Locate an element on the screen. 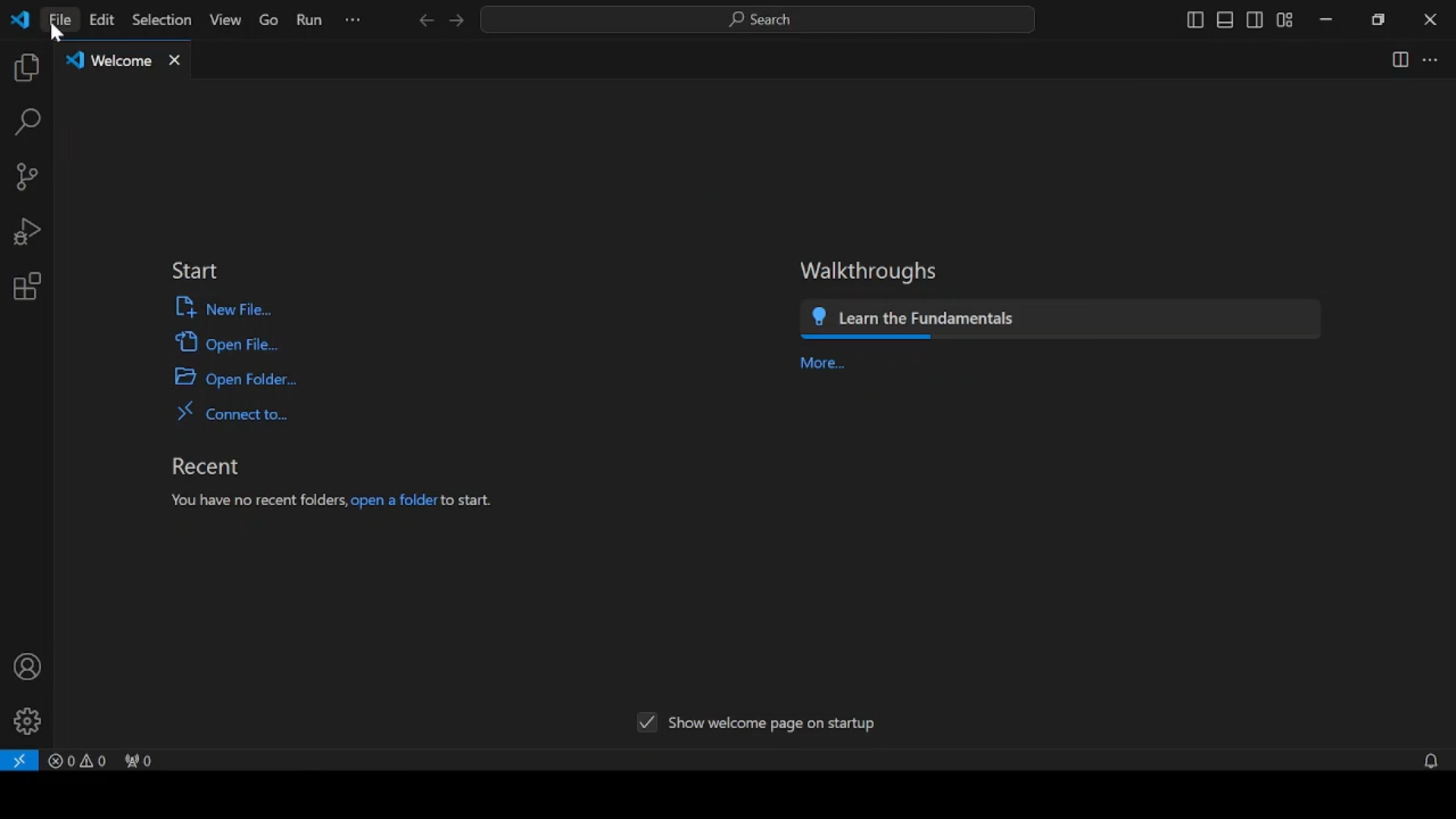 This screenshot has width=1456, height=819. explorer is located at coordinates (27, 67).